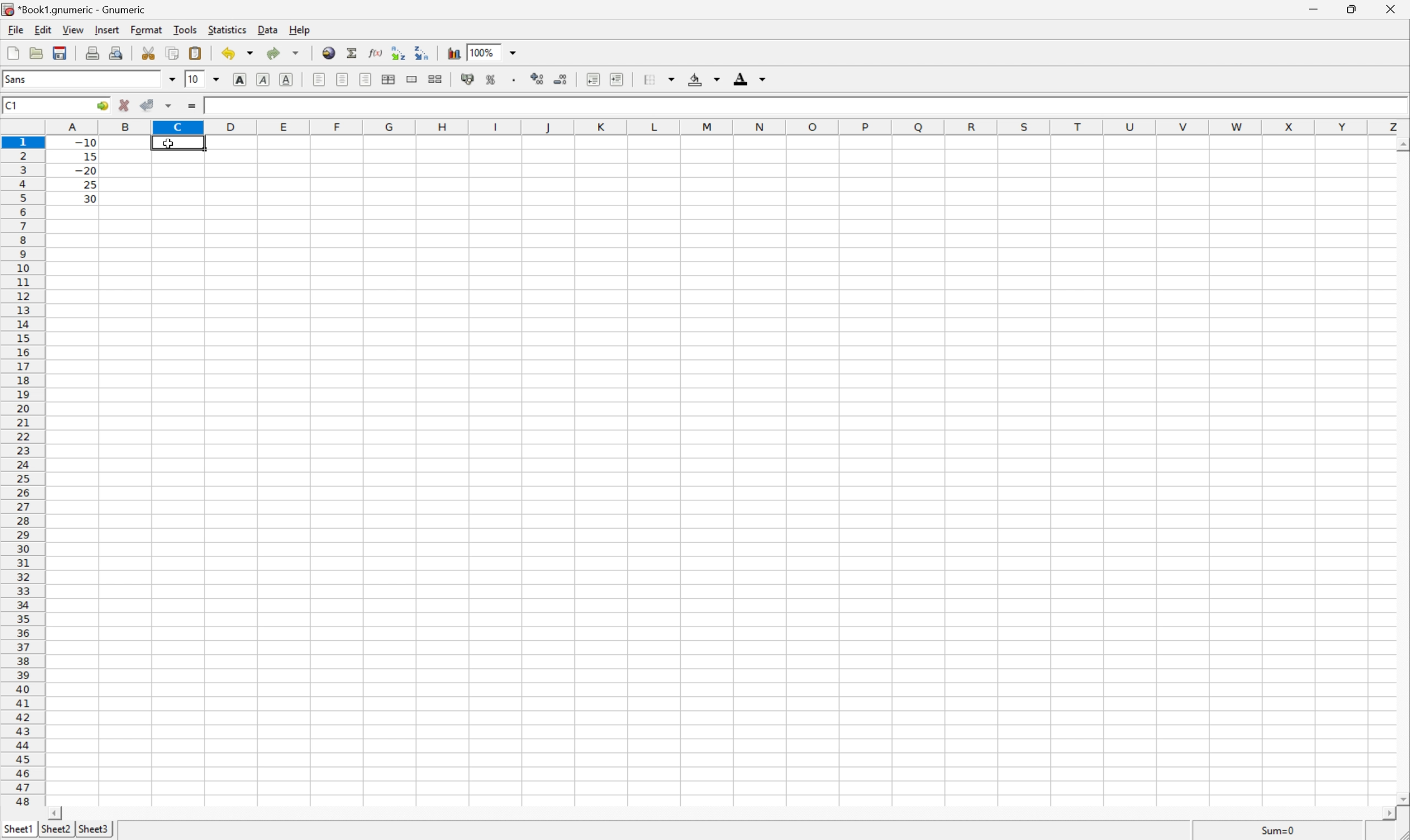 The height and width of the screenshot is (840, 1410). I want to click on Sans, so click(18, 79).